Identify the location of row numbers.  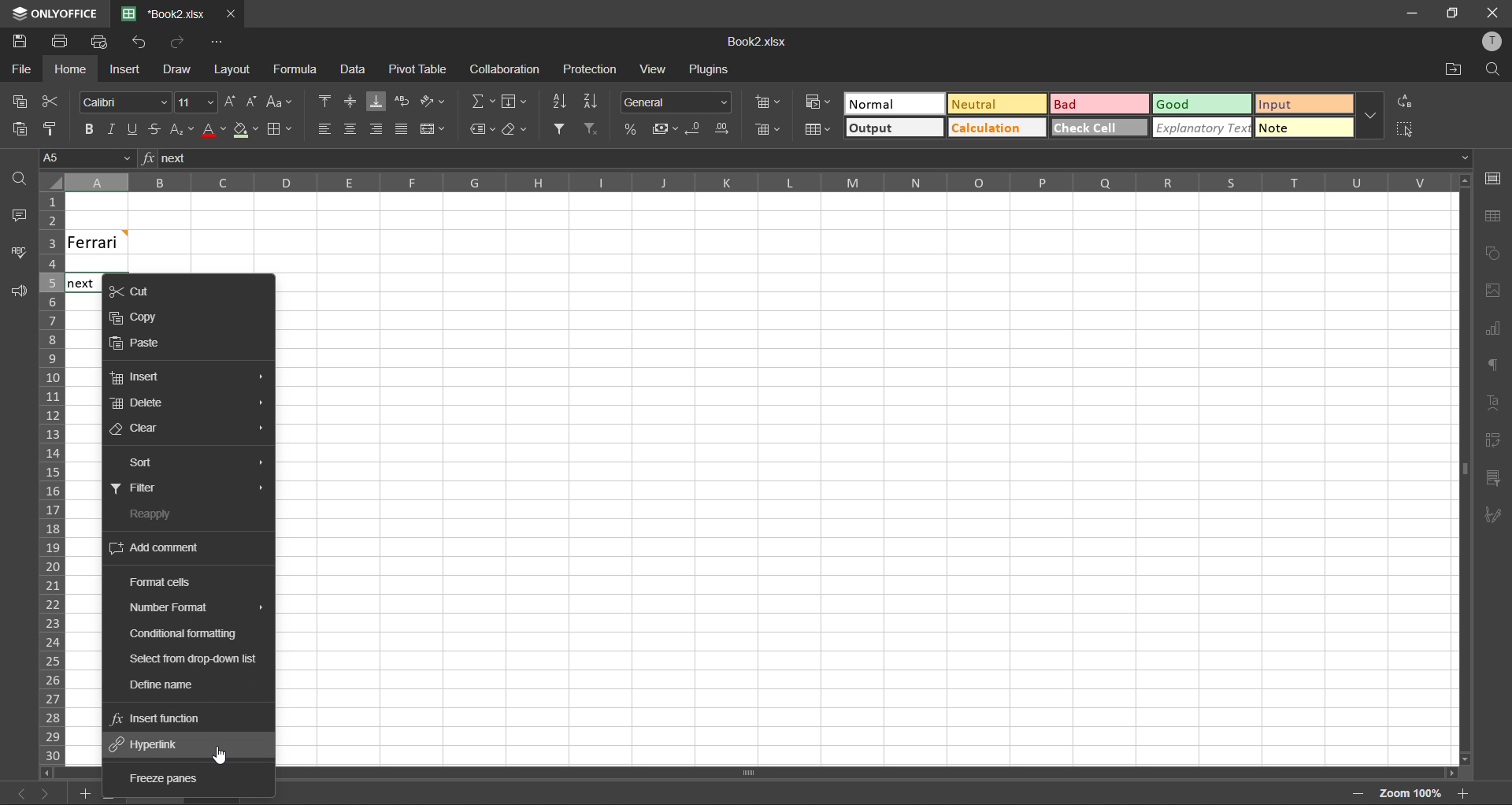
(50, 479).